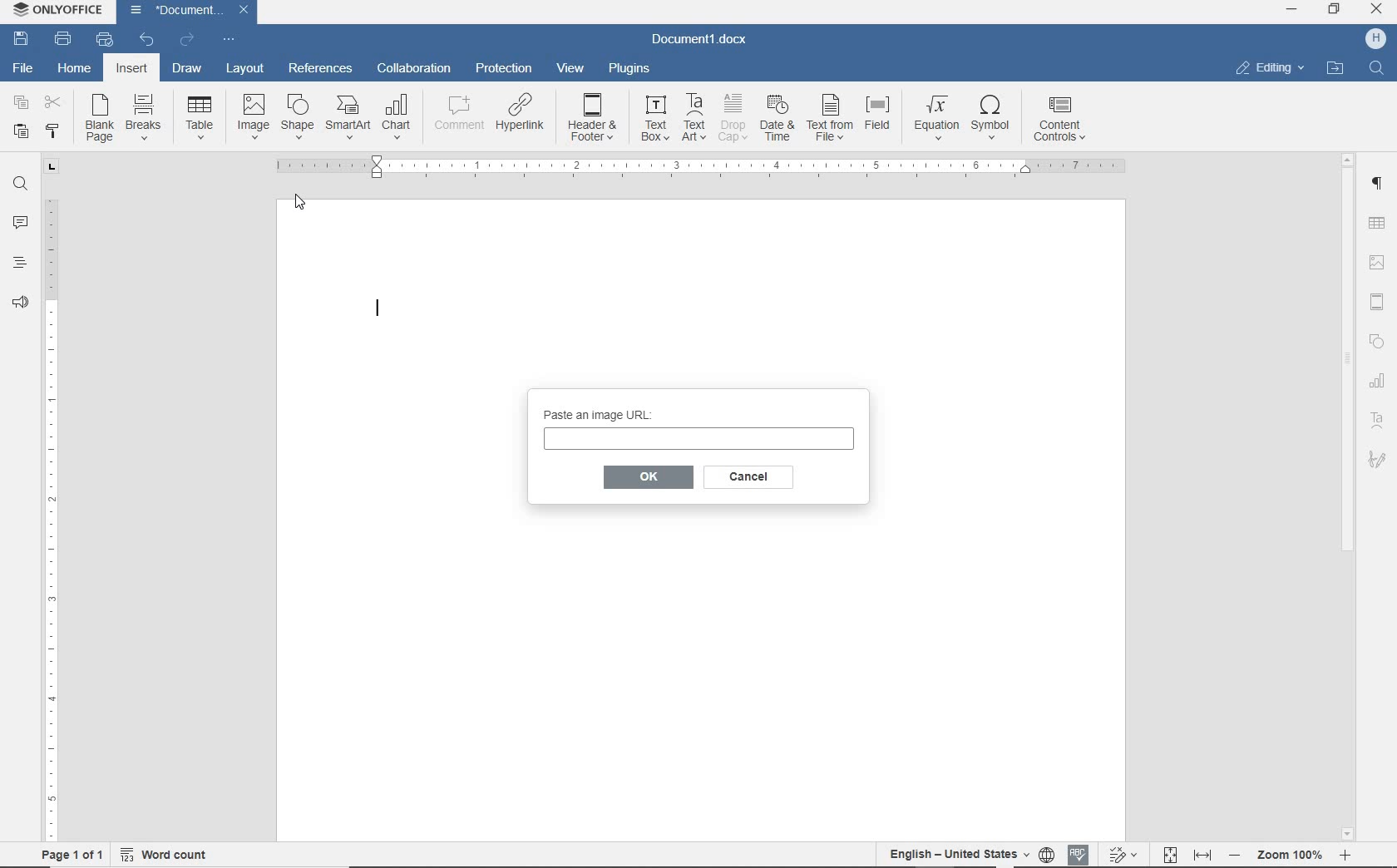 Image resolution: width=1397 pixels, height=868 pixels. What do you see at coordinates (1127, 856) in the screenshot?
I see `track changes` at bounding box center [1127, 856].